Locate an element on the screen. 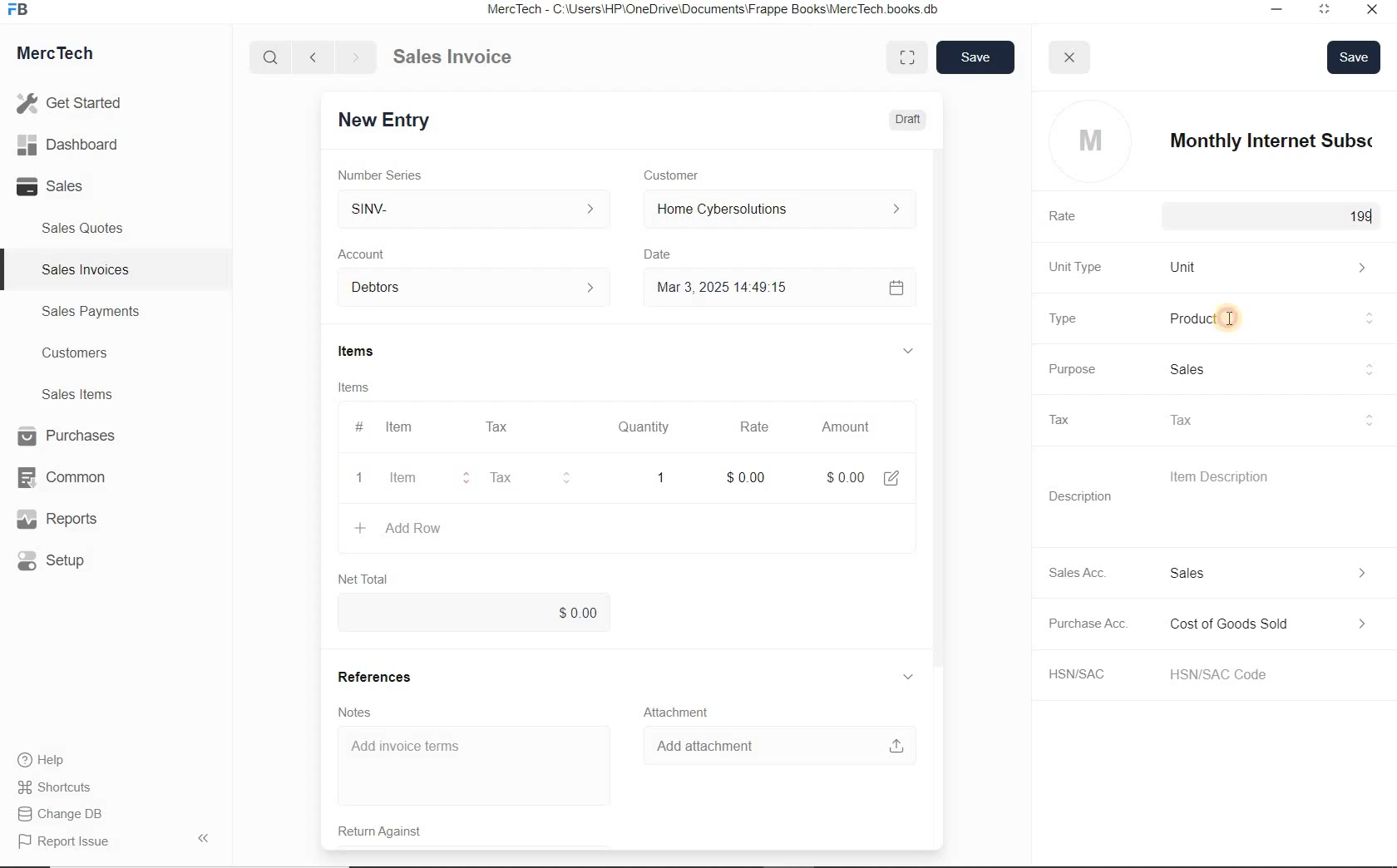 Image resolution: width=1397 pixels, height=868 pixels. edit is located at coordinates (890, 476).